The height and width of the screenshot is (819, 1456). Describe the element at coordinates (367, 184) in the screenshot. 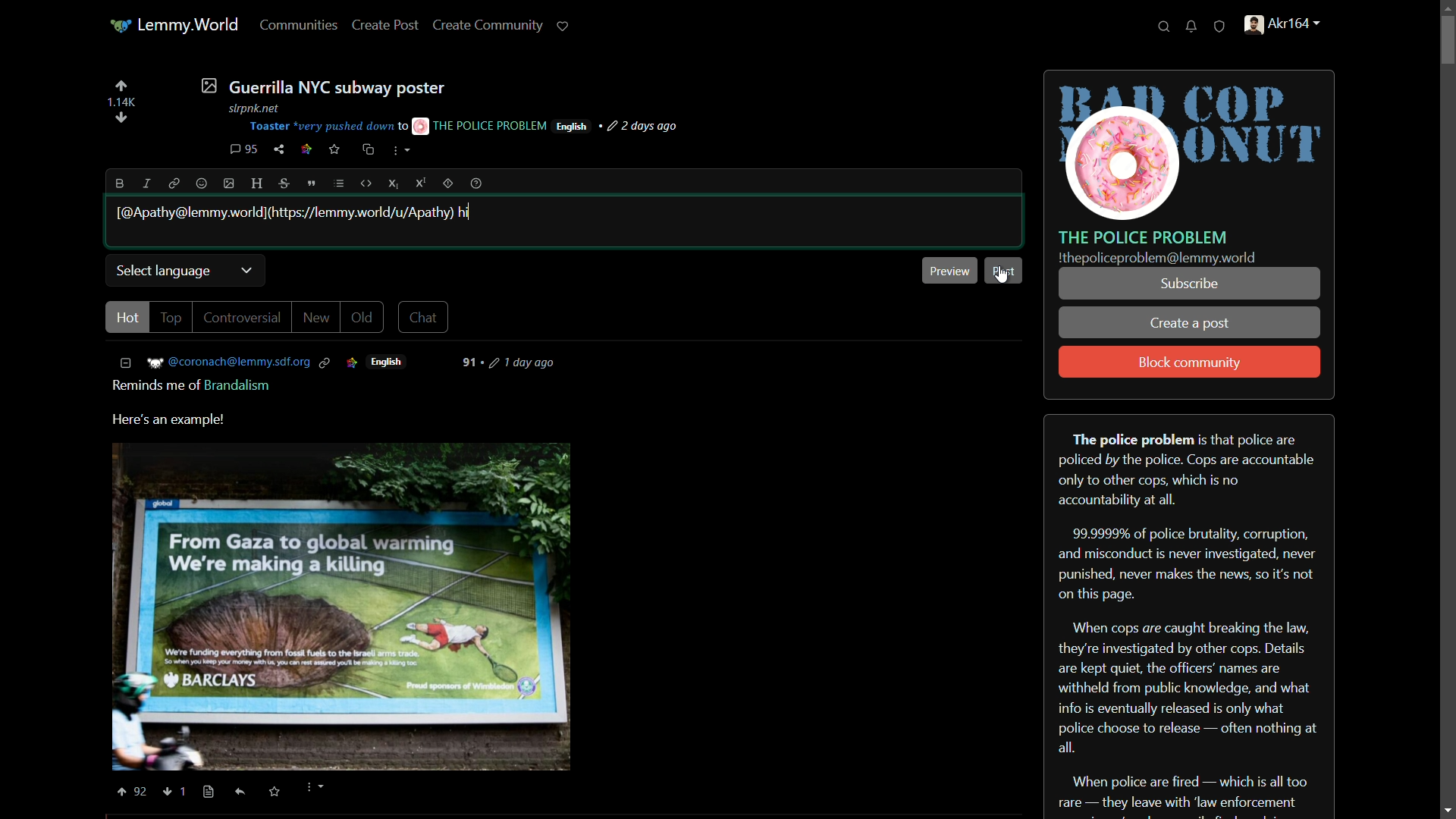

I see `code` at that location.